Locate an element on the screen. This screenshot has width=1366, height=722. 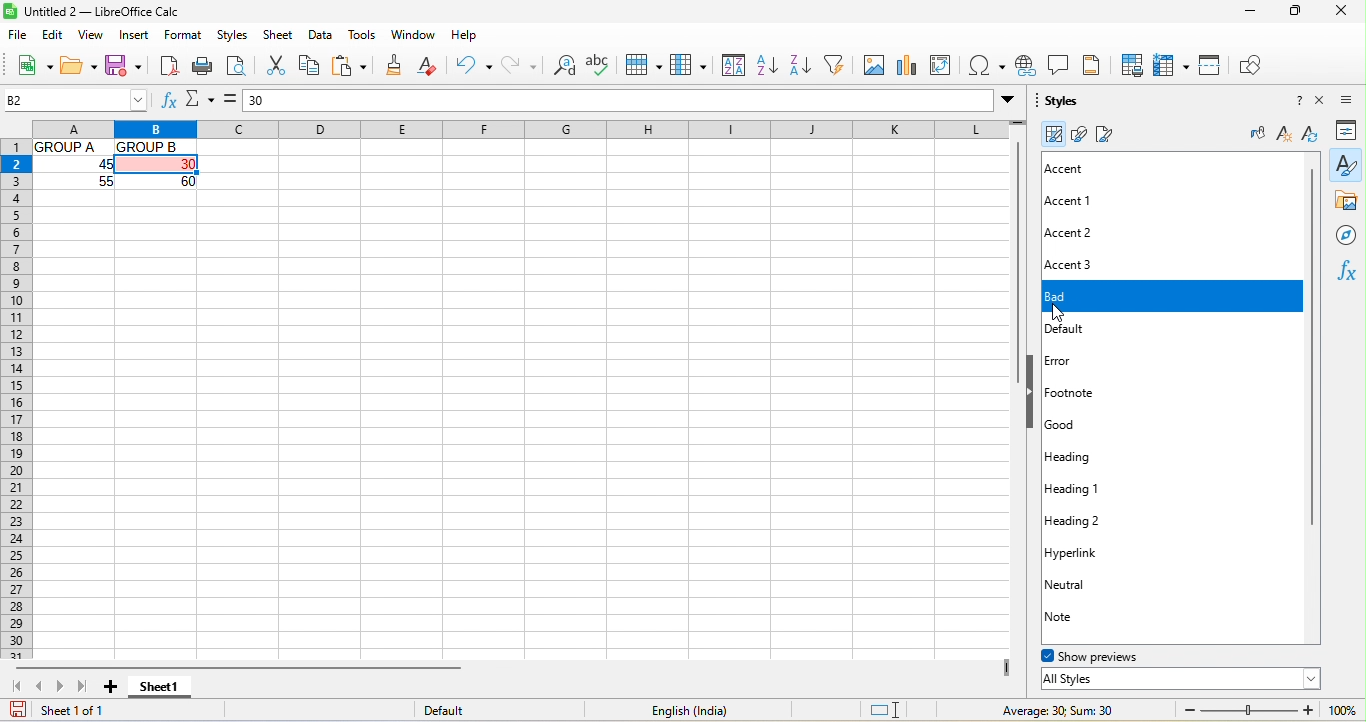
print is located at coordinates (205, 68).